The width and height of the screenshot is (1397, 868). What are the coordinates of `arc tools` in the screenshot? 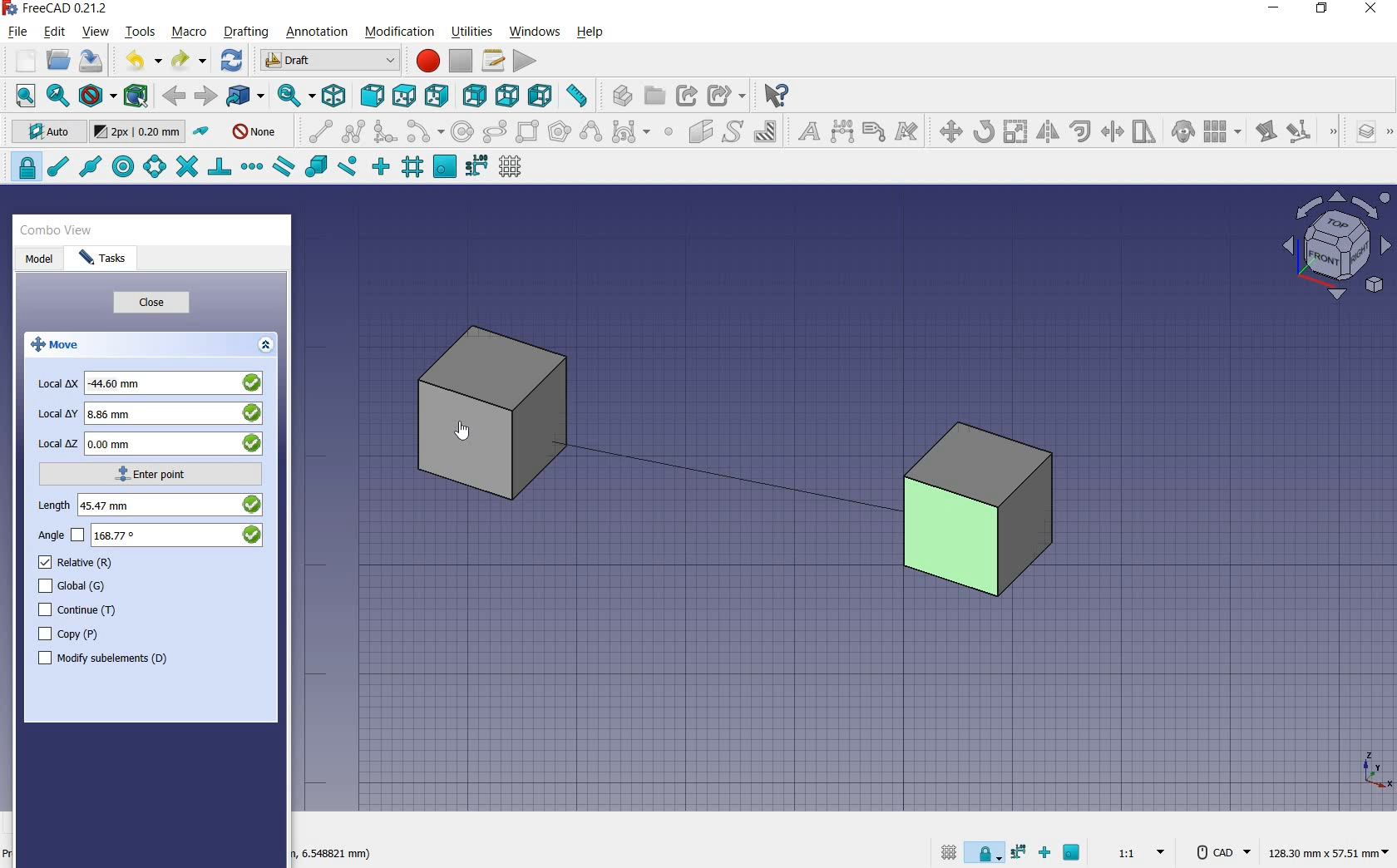 It's located at (425, 131).